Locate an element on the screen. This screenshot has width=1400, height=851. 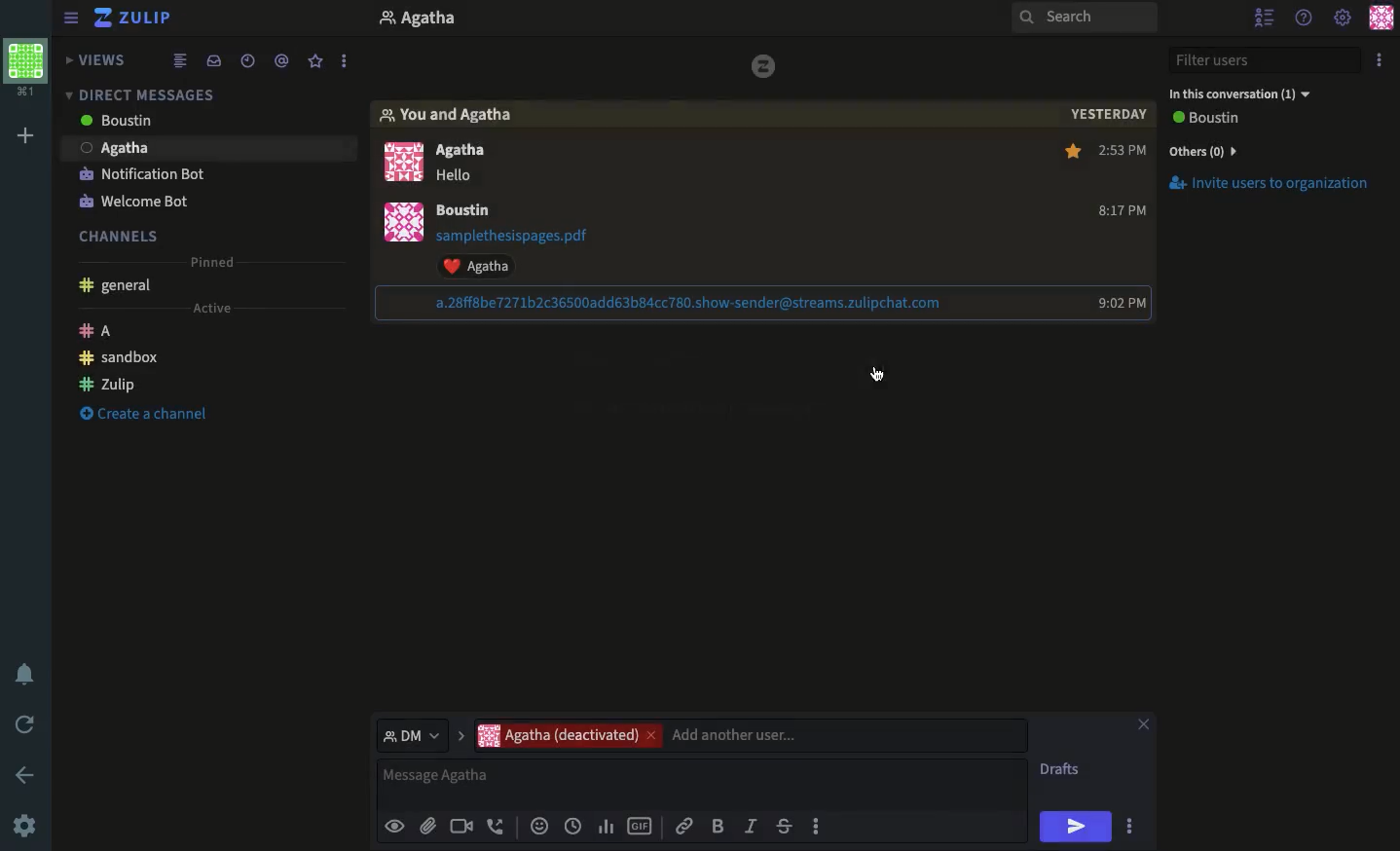
options is located at coordinates (1132, 829).